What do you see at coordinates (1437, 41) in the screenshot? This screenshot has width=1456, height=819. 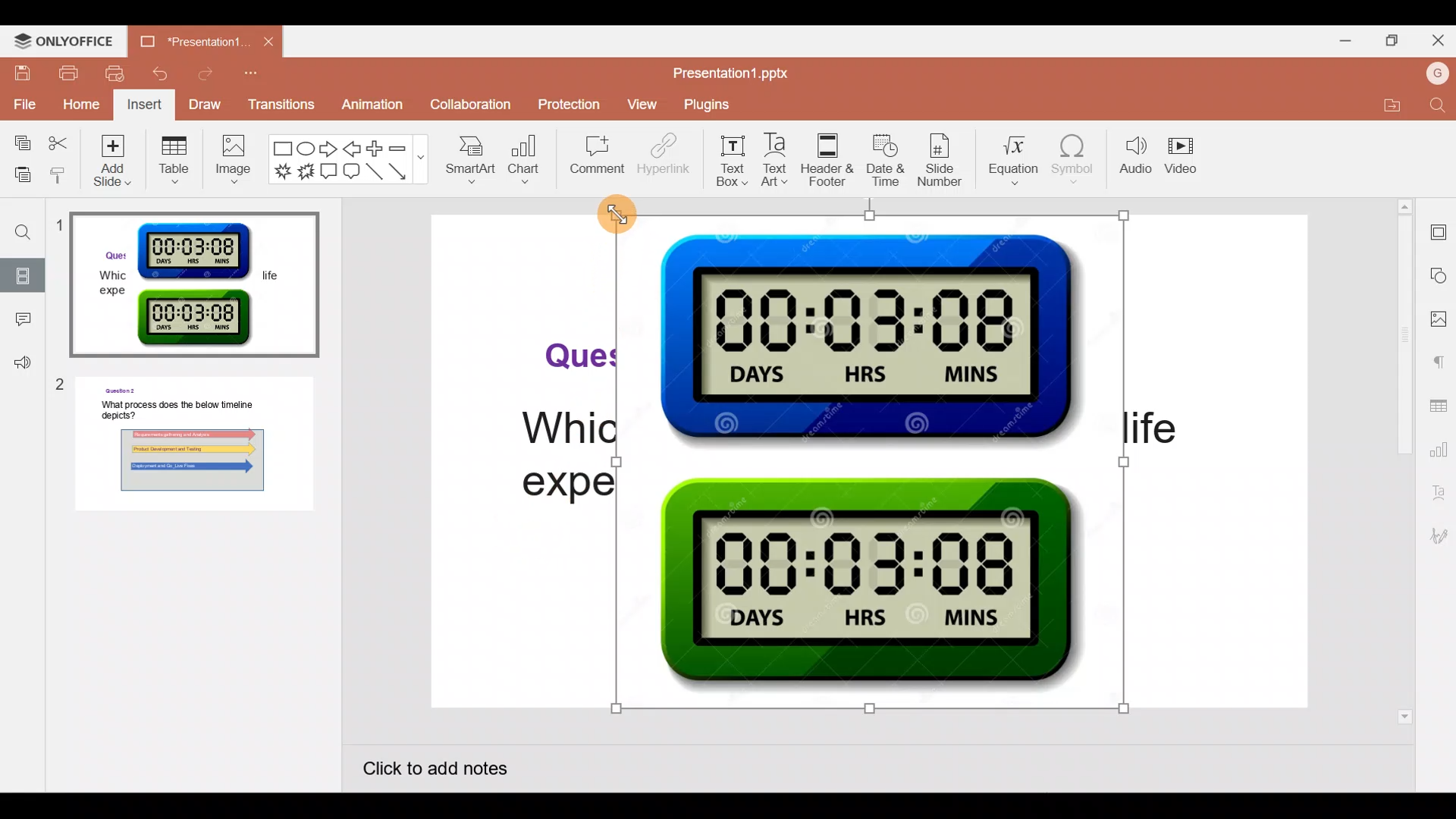 I see `Close` at bounding box center [1437, 41].